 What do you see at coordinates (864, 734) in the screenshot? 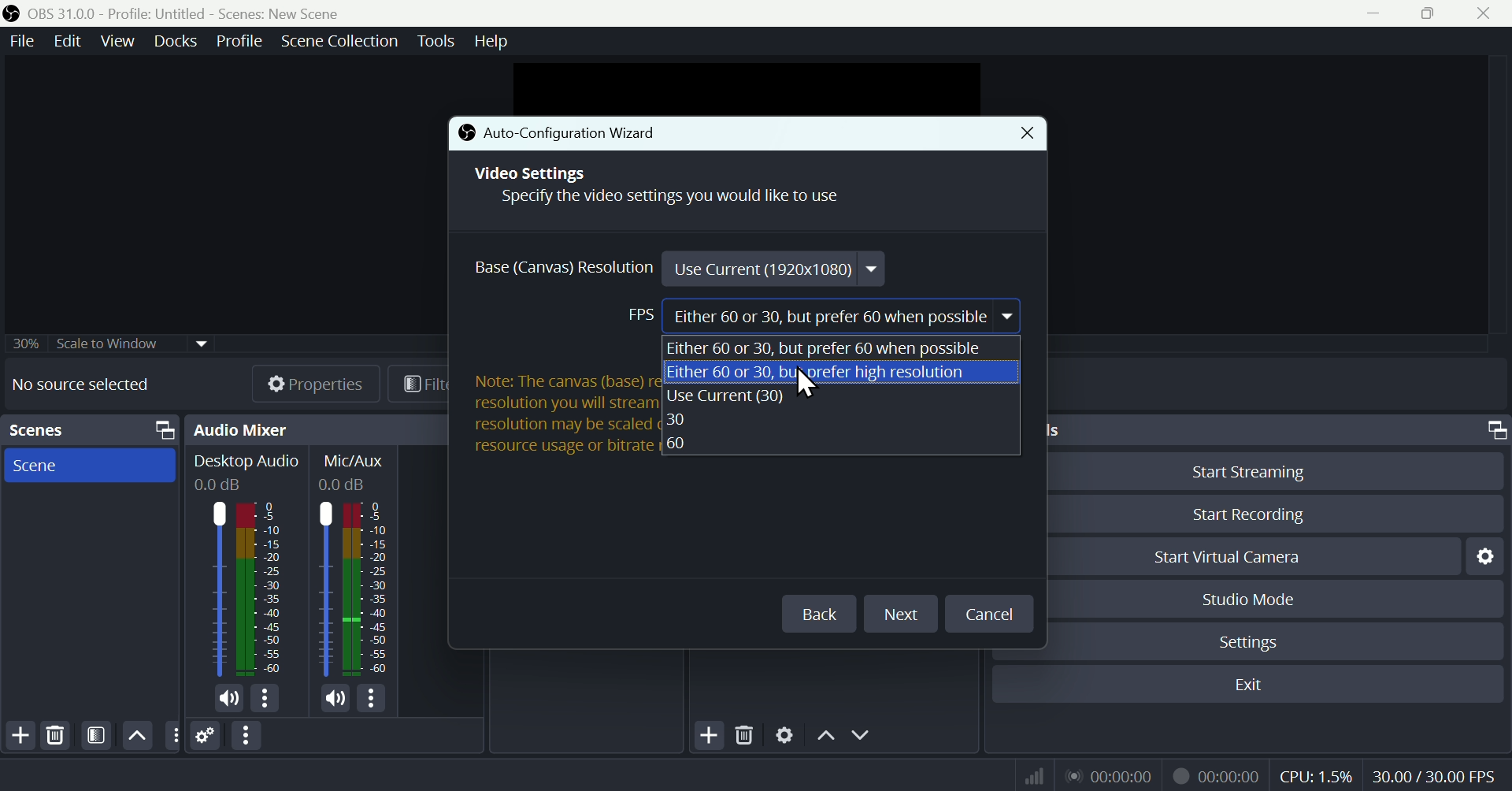
I see `Down` at bounding box center [864, 734].